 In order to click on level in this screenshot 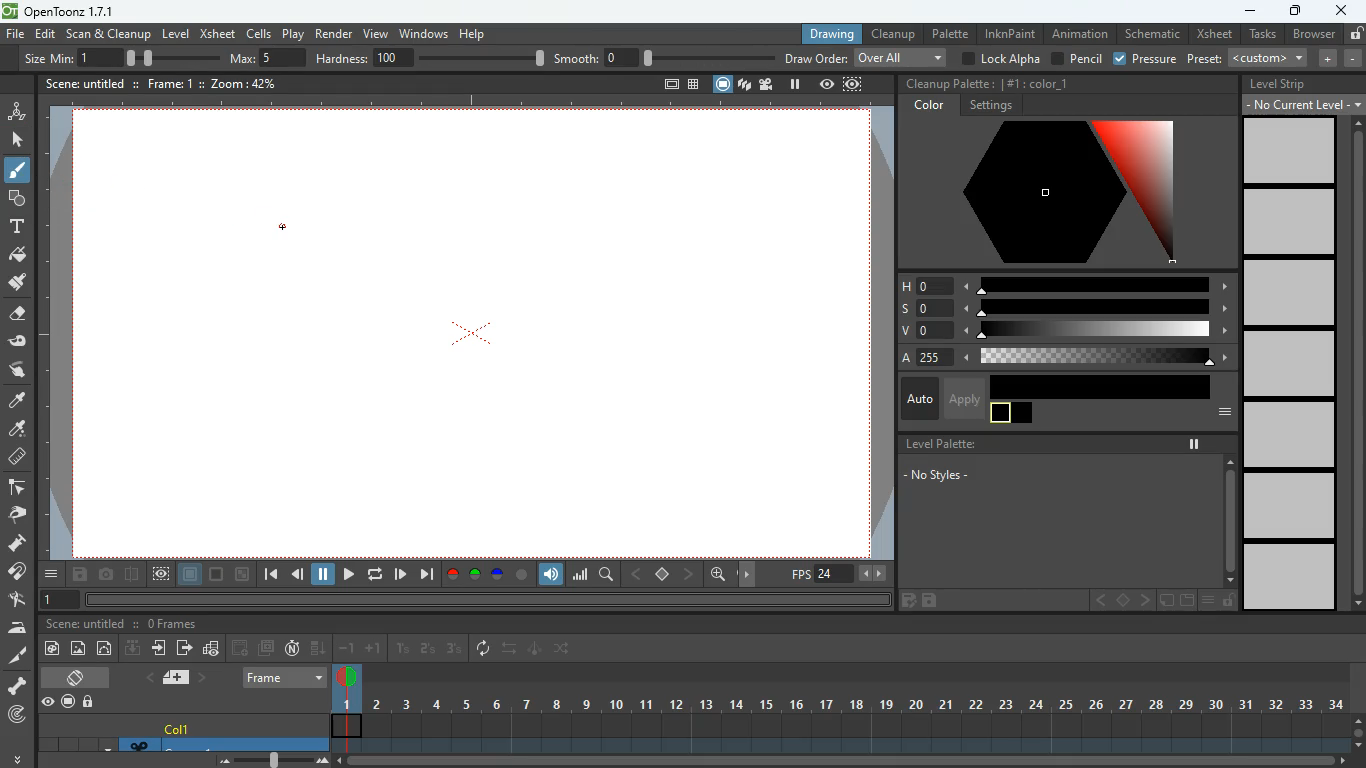, I will do `click(1286, 292)`.